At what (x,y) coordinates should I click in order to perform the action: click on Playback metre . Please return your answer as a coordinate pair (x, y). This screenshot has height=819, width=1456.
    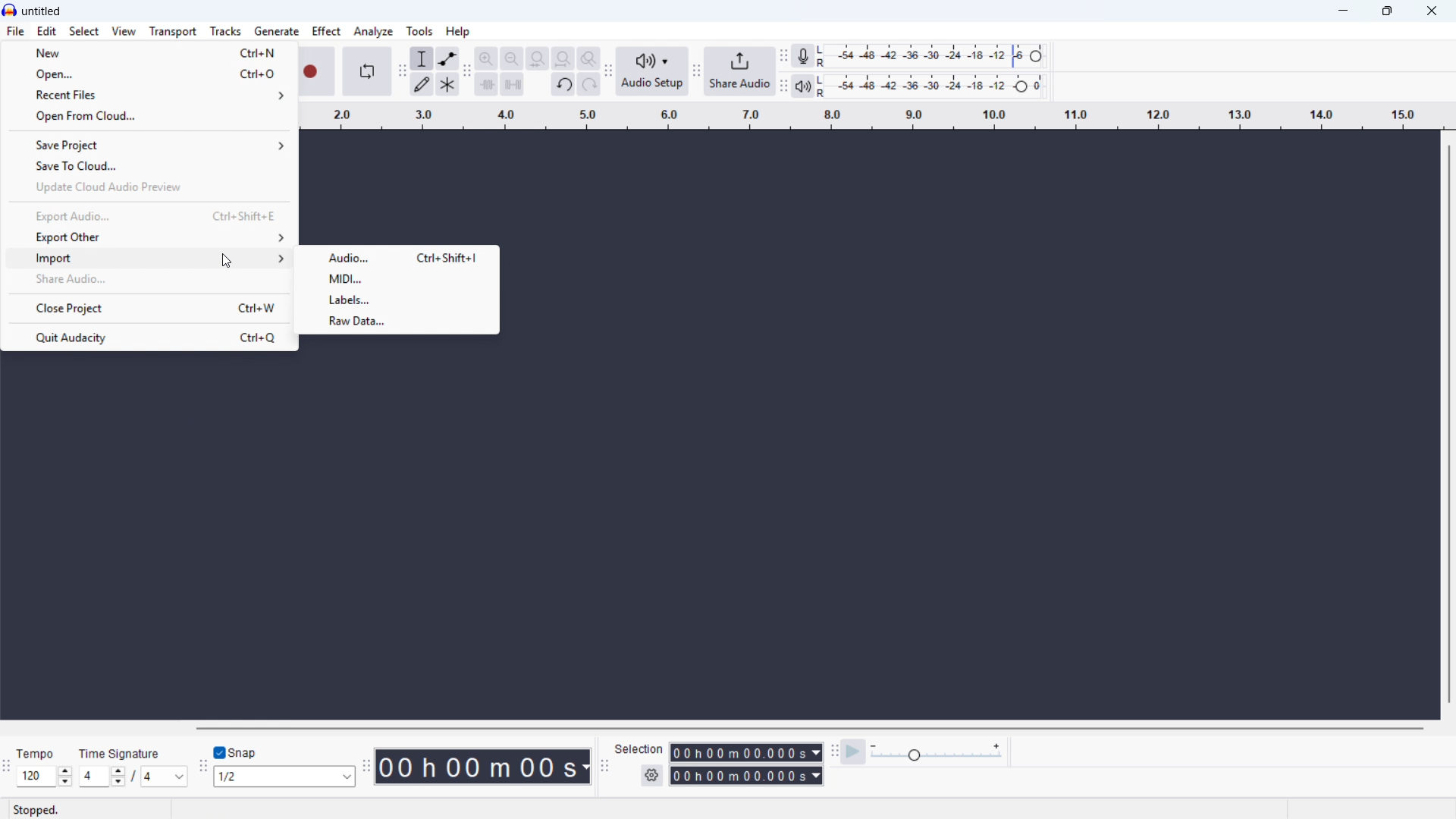
    Looking at the image, I should click on (803, 87).